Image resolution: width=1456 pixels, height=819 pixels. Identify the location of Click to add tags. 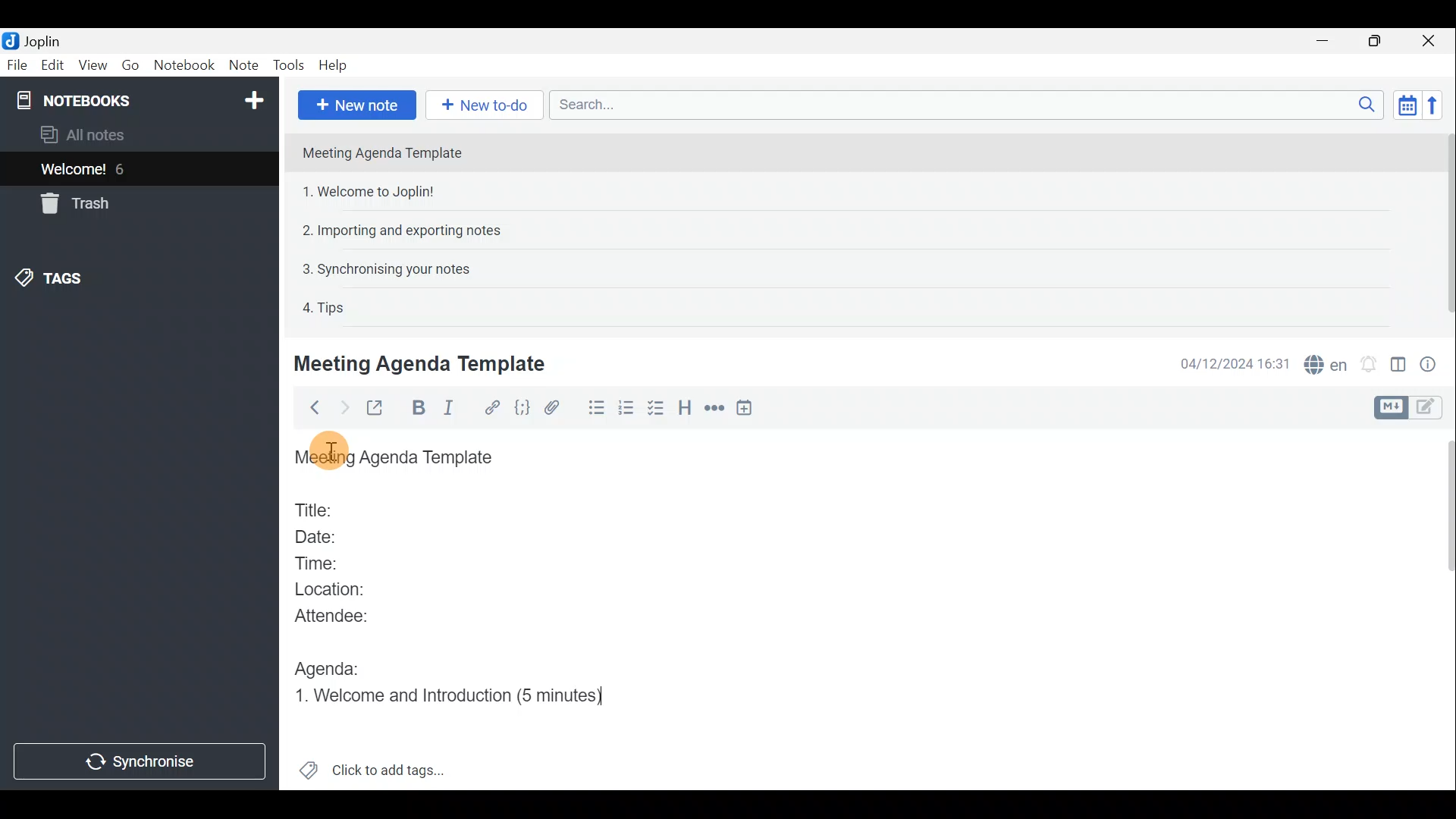
(393, 767).